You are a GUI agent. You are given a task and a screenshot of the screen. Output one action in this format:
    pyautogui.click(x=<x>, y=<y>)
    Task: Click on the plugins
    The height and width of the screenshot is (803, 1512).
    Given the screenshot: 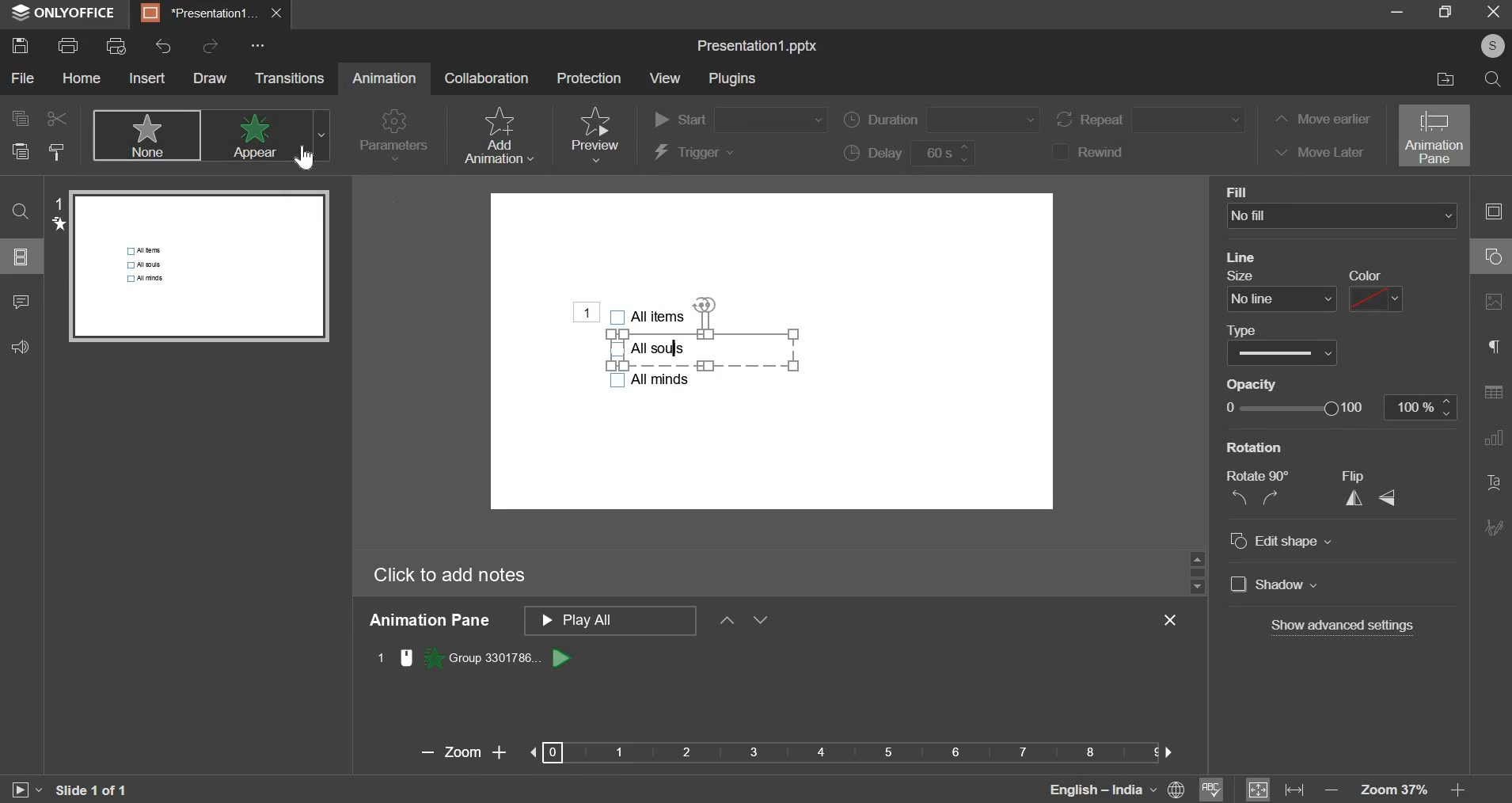 What is the action you would take?
    pyautogui.click(x=731, y=79)
    